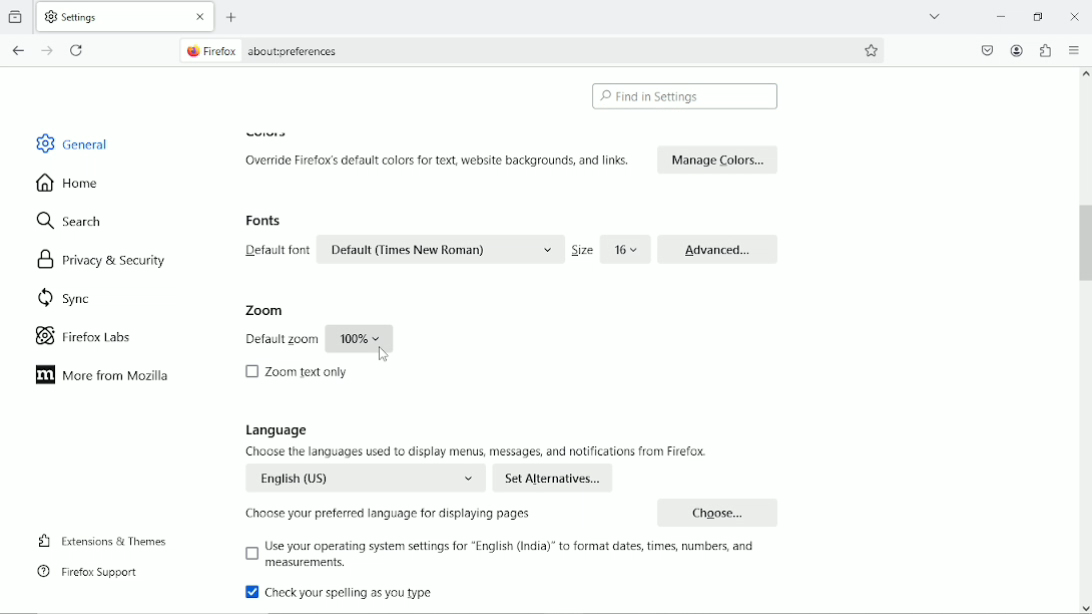  What do you see at coordinates (720, 511) in the screenshot?
I see `Choose...` at bounding box center [720, 511].